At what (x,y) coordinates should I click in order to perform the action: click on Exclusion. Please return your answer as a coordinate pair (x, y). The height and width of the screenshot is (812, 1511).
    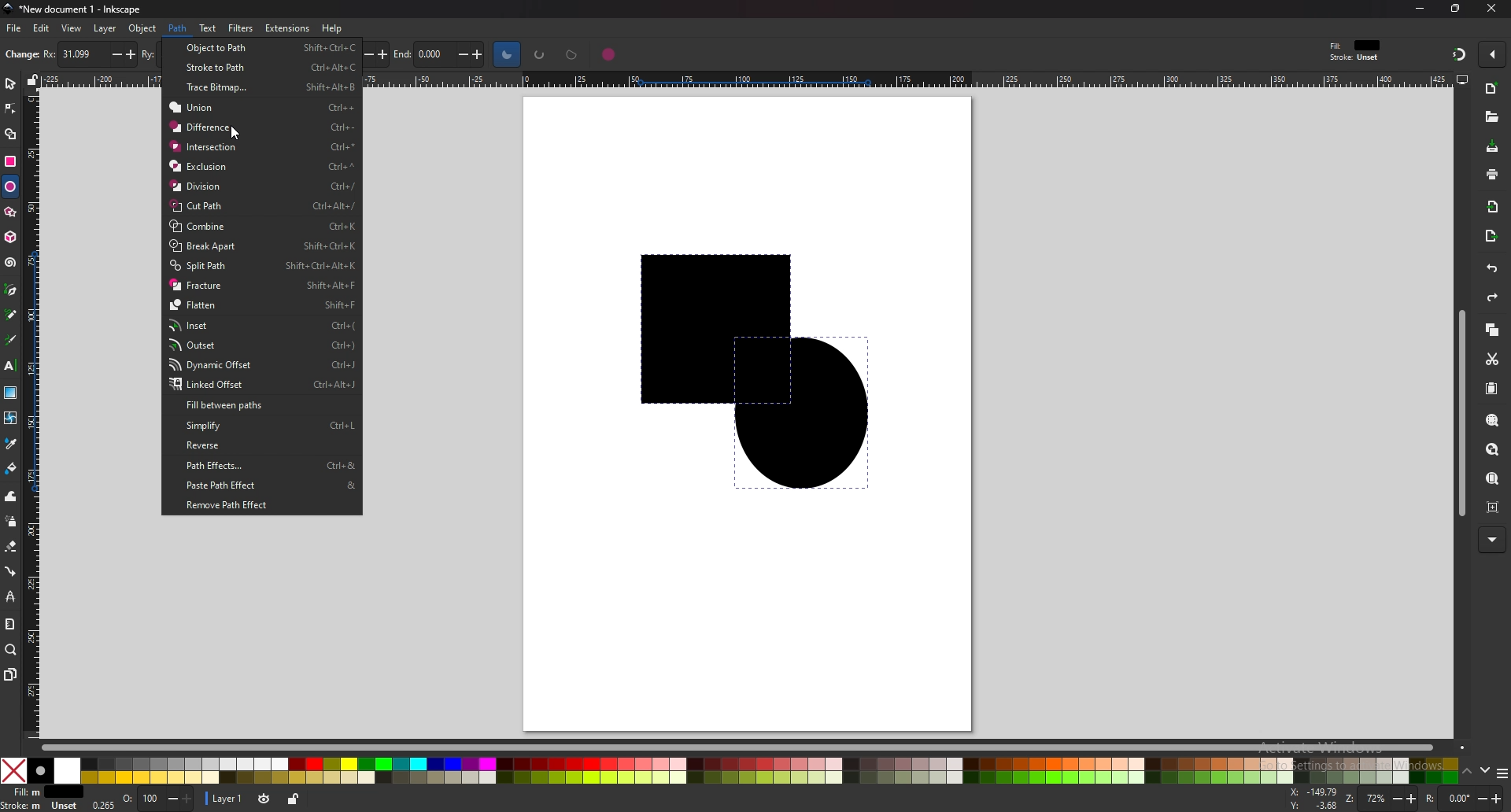
    Looking at the image, I should click on (260, 168).